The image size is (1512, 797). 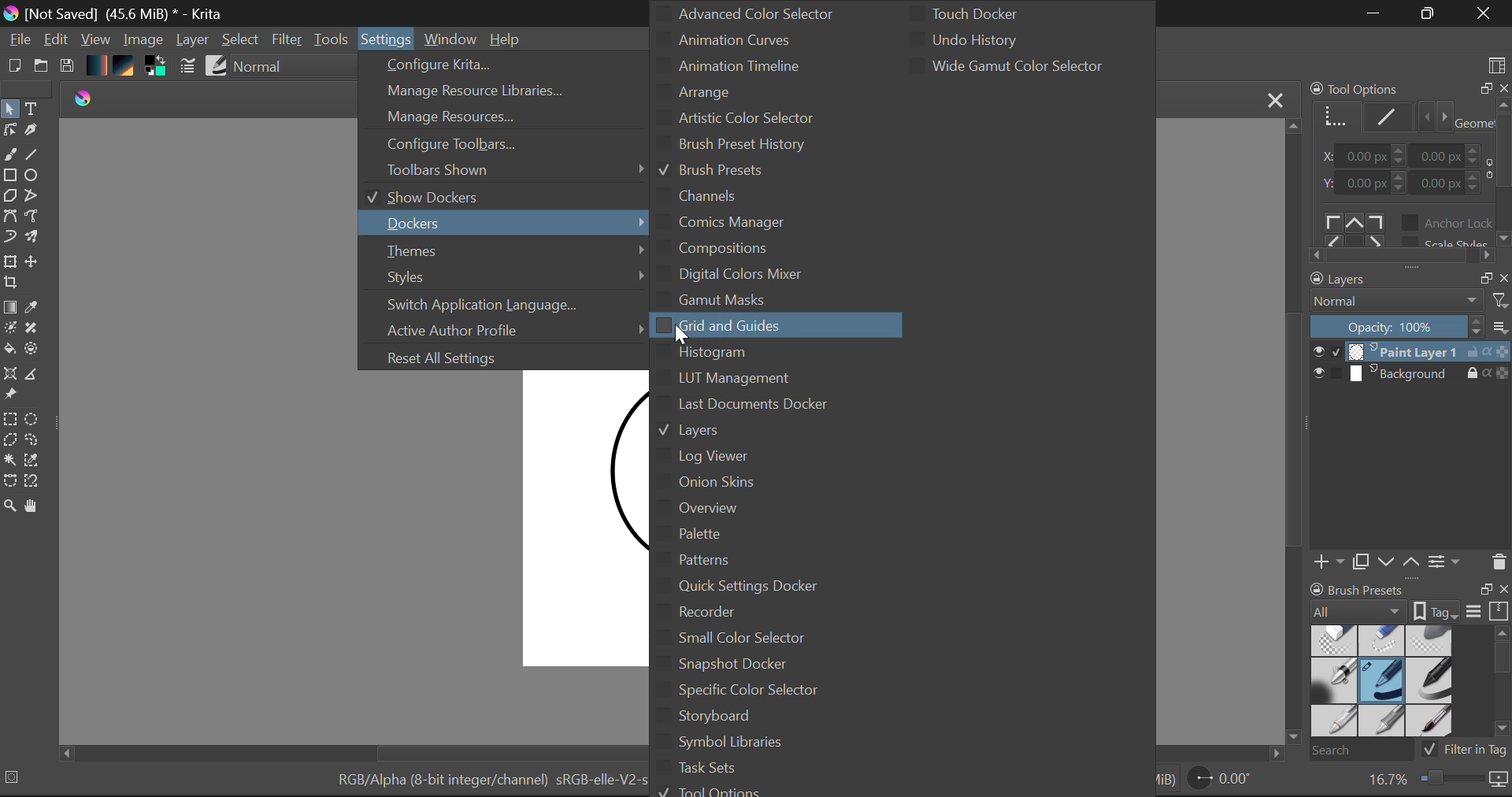 I want to click on Themes, so click(x=501, y=252).